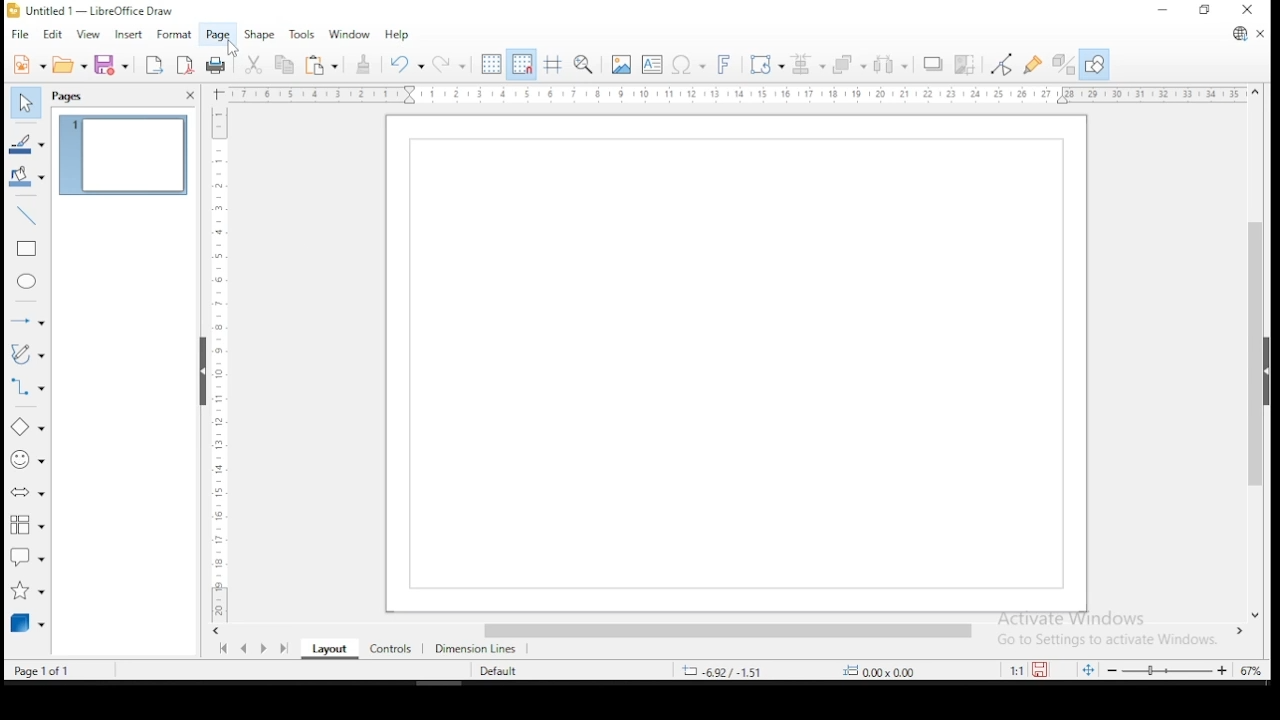 The image size is (1280, 720). I want to click on toggle extrusions, so click(1062, 65).